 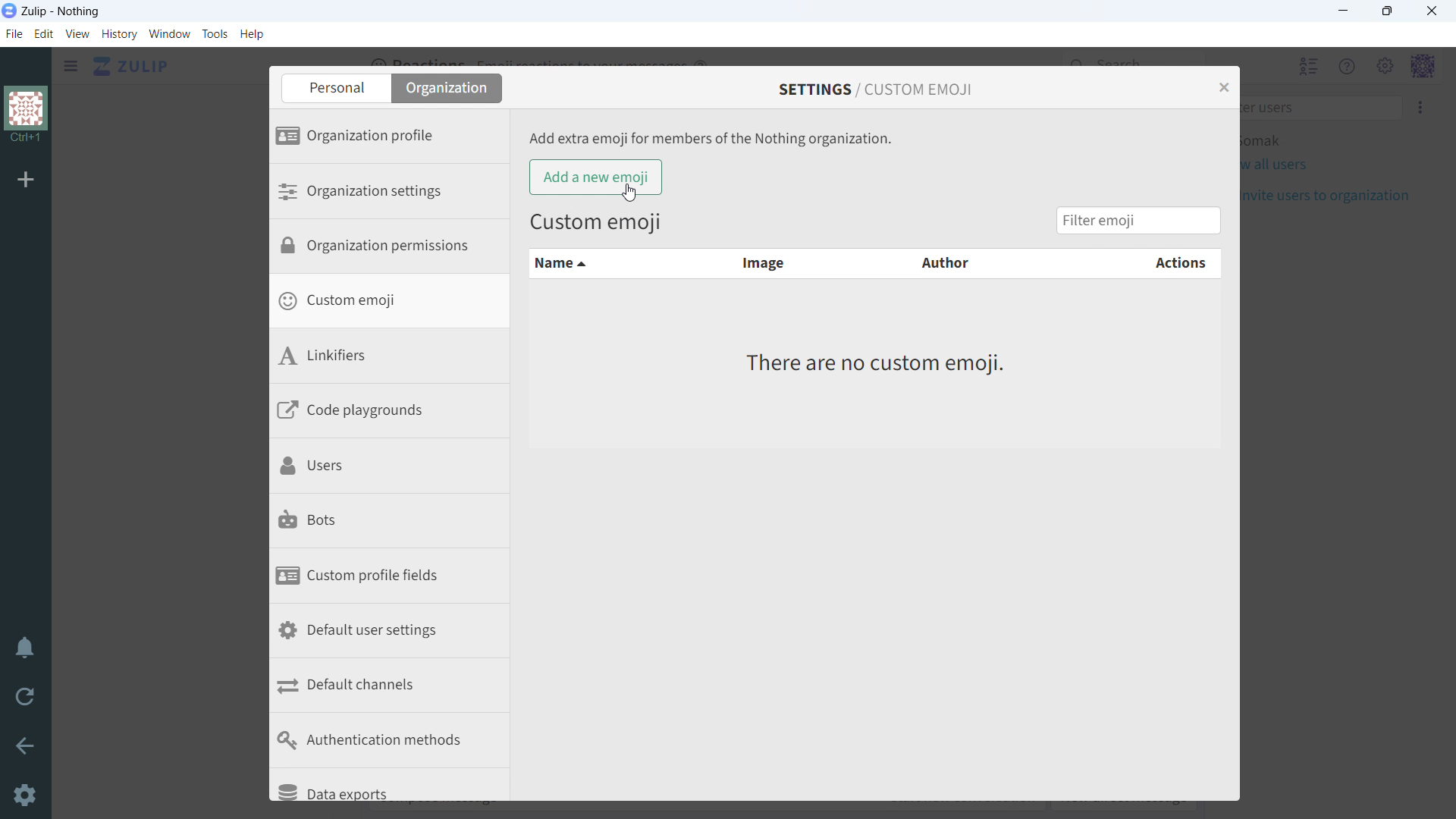 What do you see at coordinates (1383, 65) in the screenshot?
I see `main menu` at bounding box center [1383, 65].